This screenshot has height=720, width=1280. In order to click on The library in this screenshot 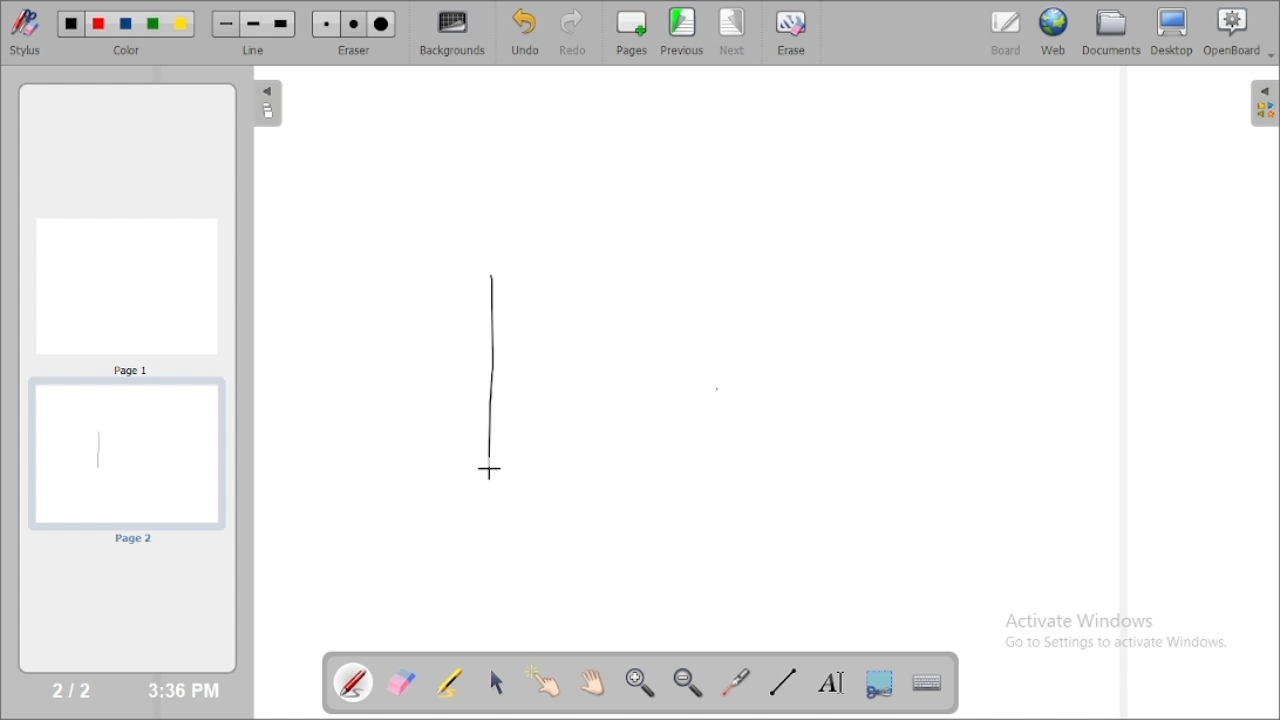, I will do `click(1264, 102)`.